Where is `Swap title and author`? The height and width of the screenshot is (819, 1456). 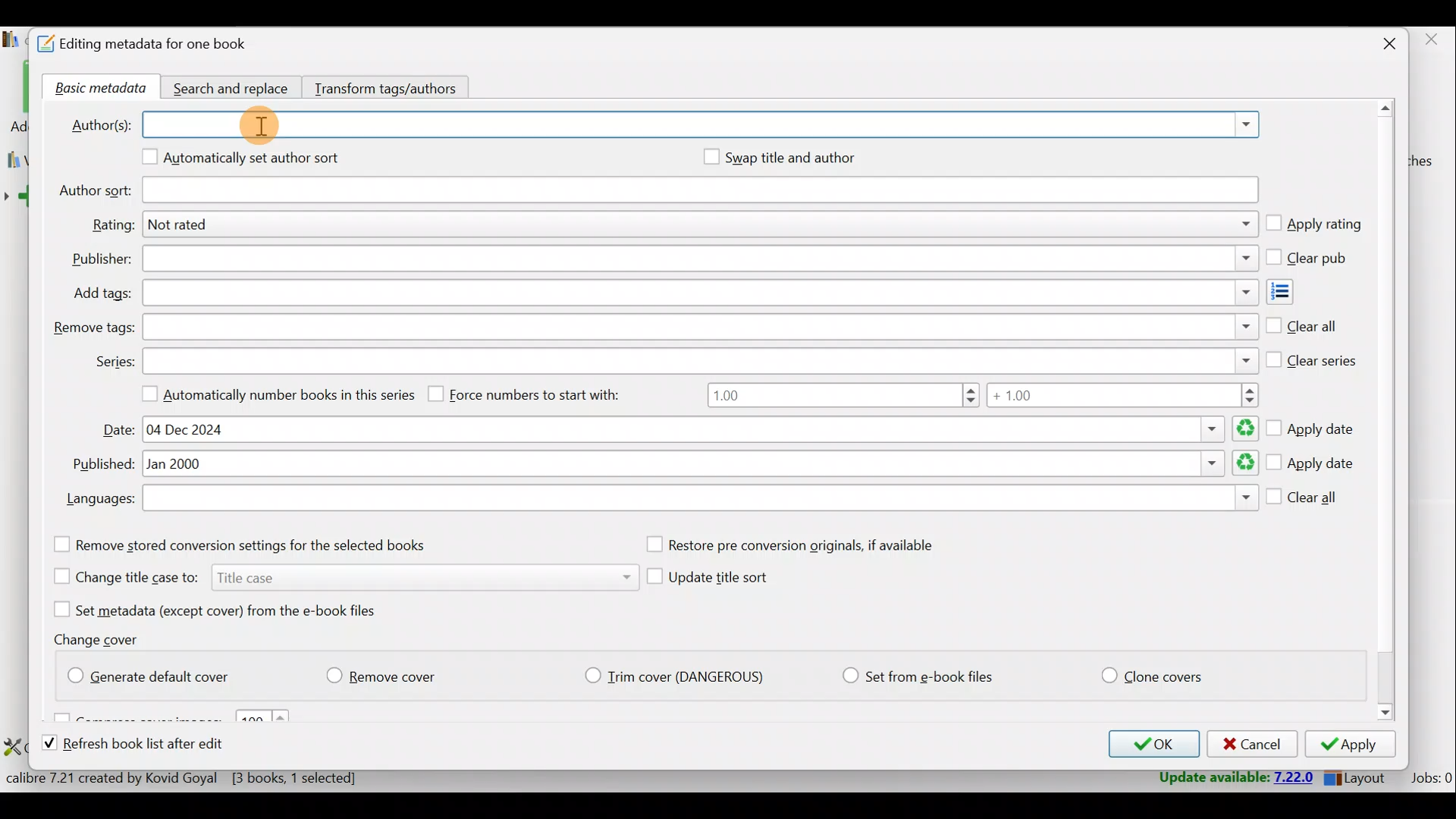
Swap title and author is located at coordinates (808, 157).